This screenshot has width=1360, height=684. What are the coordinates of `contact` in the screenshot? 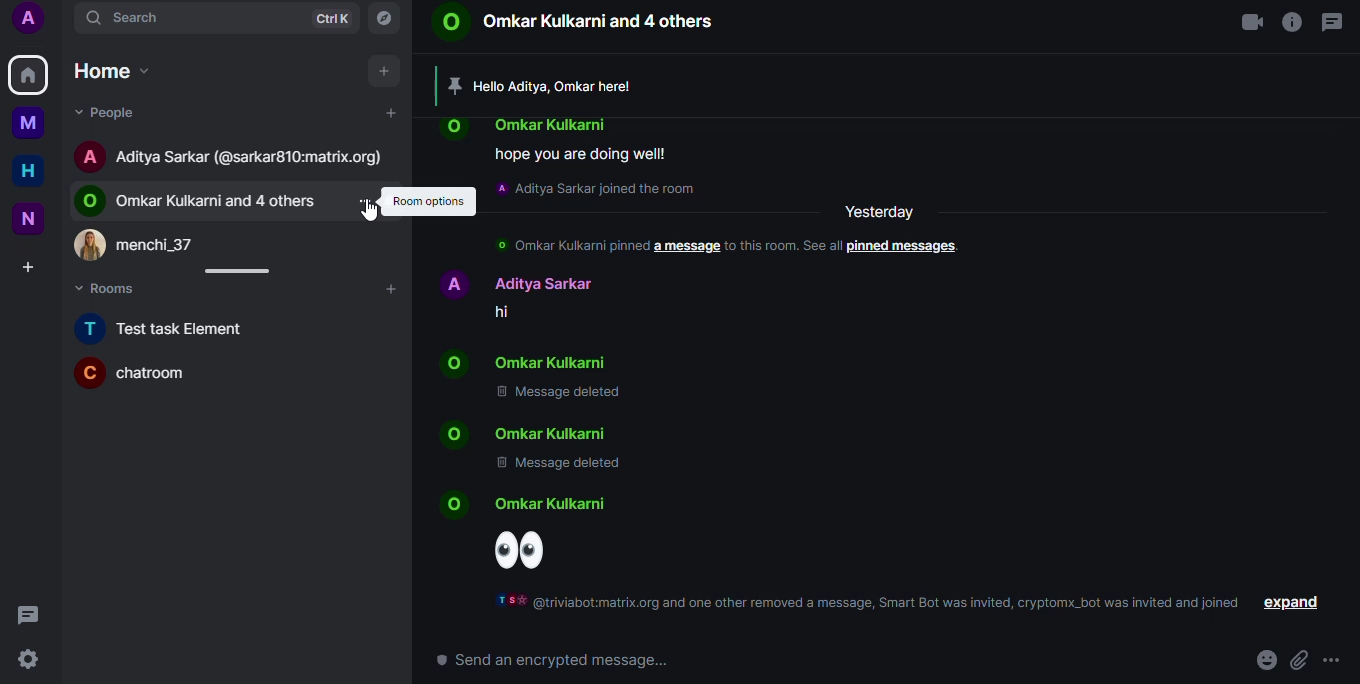 It's located at (521, 363).